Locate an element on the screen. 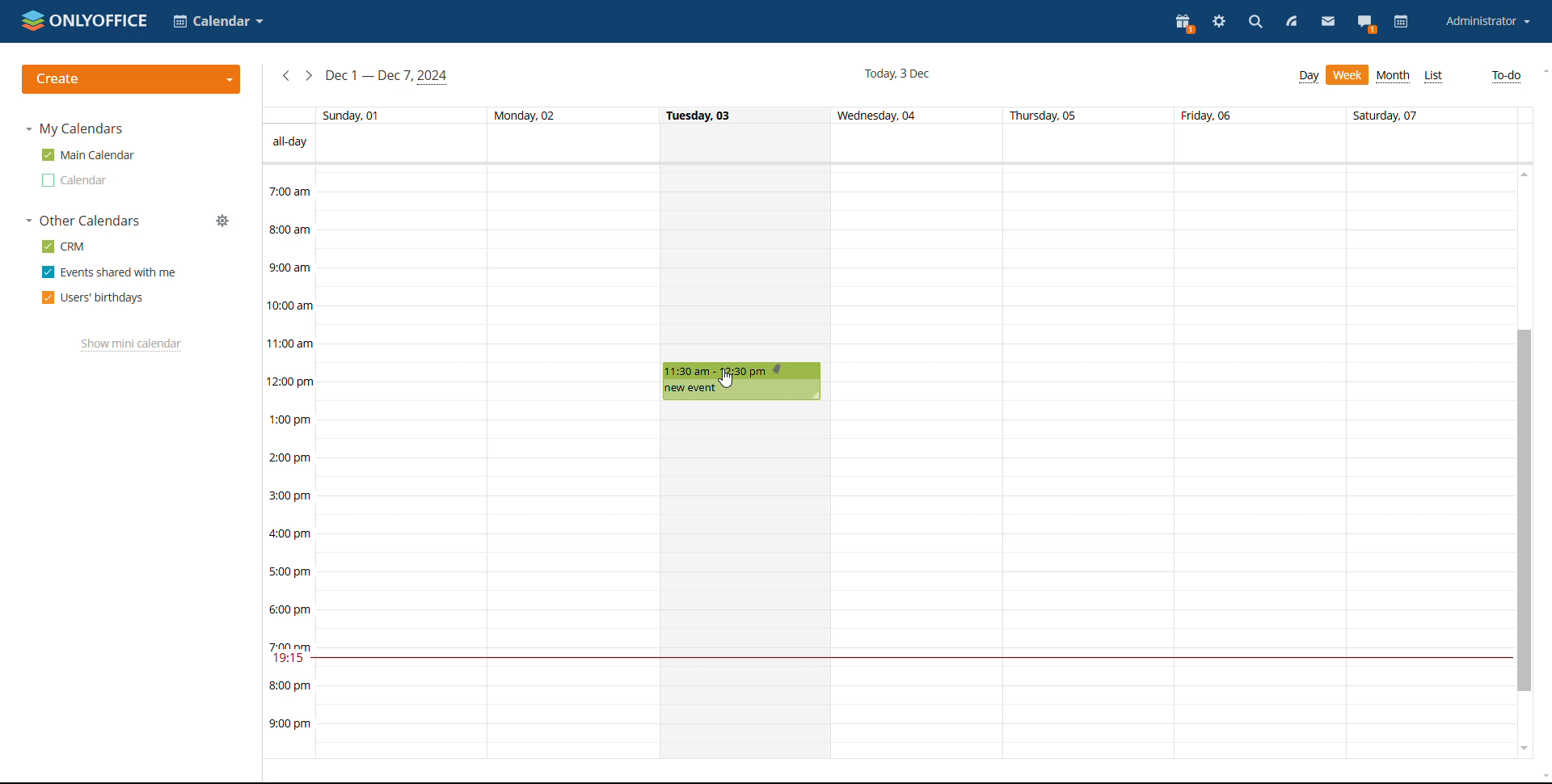  new event is located at coordinates (687, 388).